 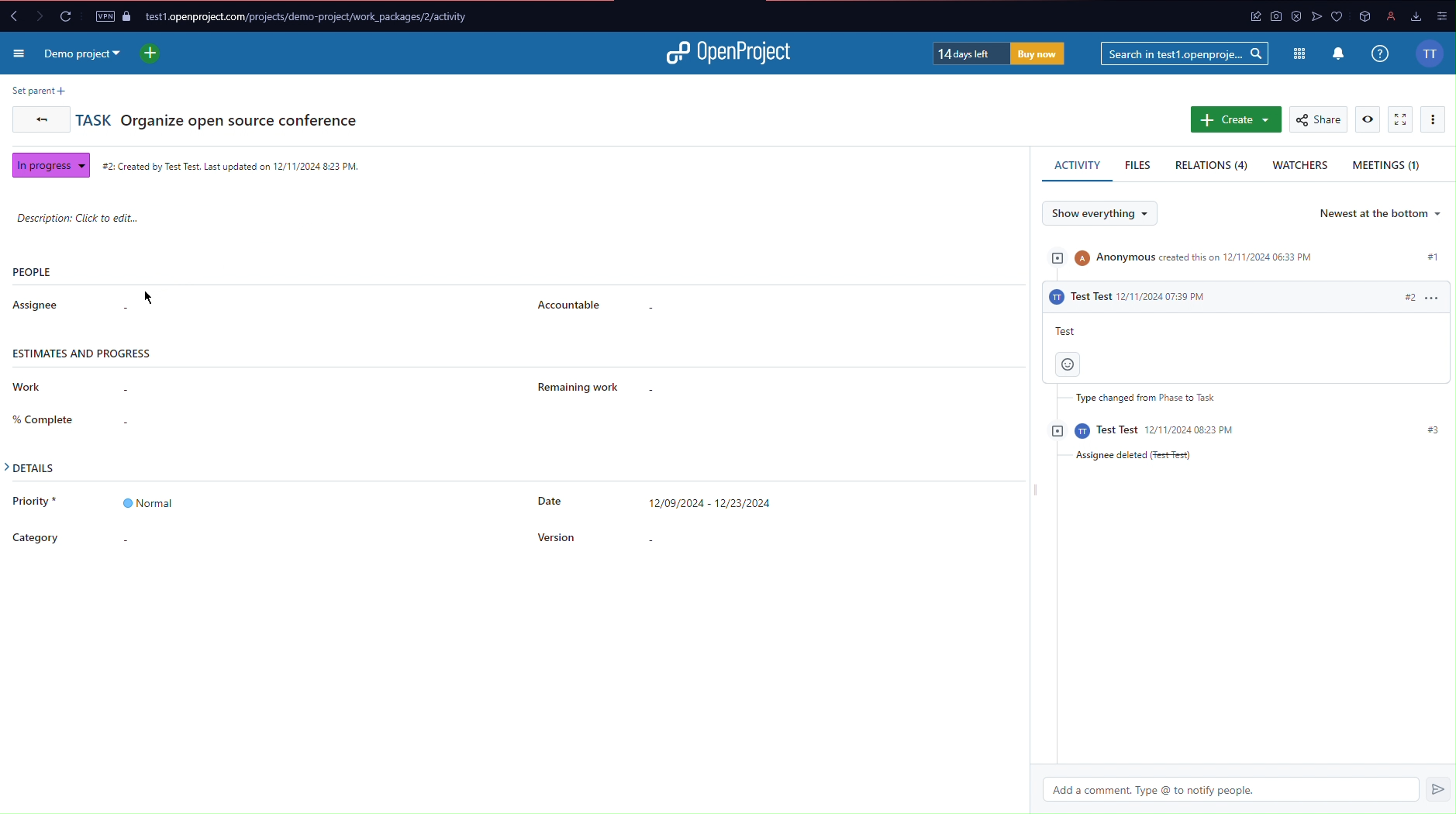 What do you see at coordinates (33, 271) in the screenshot?
I see `People` at bounding box center [33, 271].